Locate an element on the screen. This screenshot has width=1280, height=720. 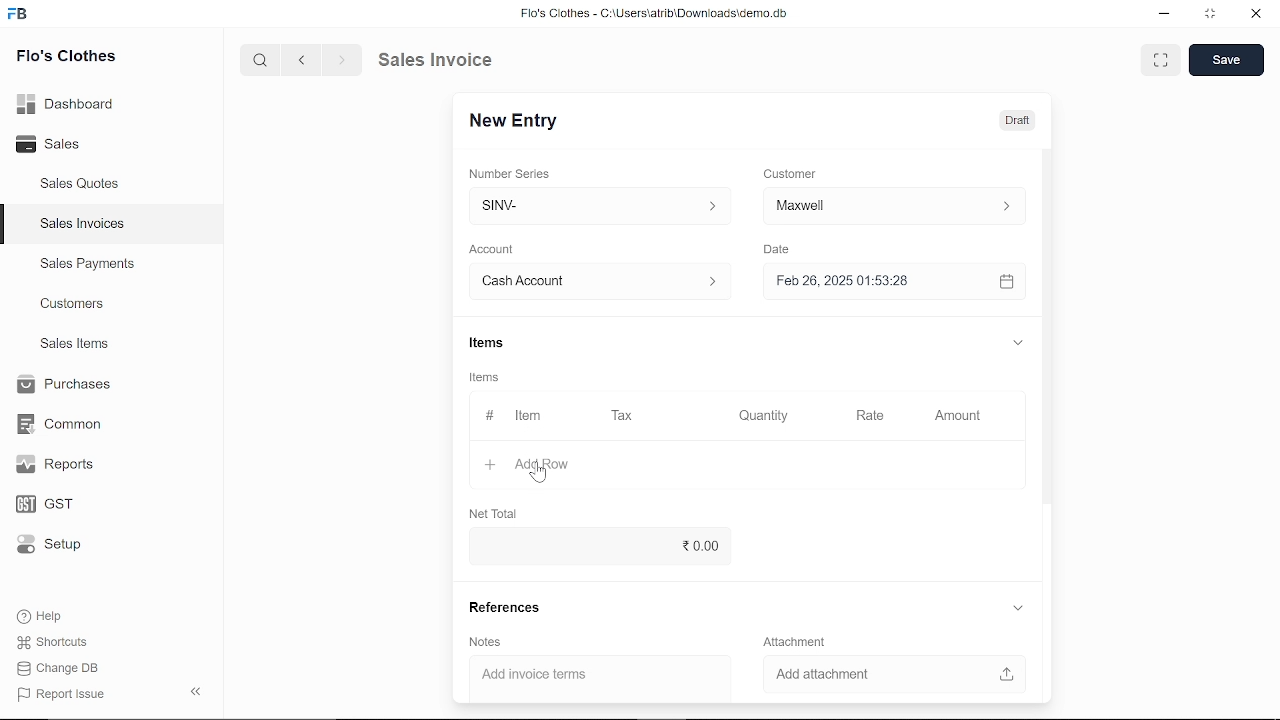
 is located at coordinates (487, 379).